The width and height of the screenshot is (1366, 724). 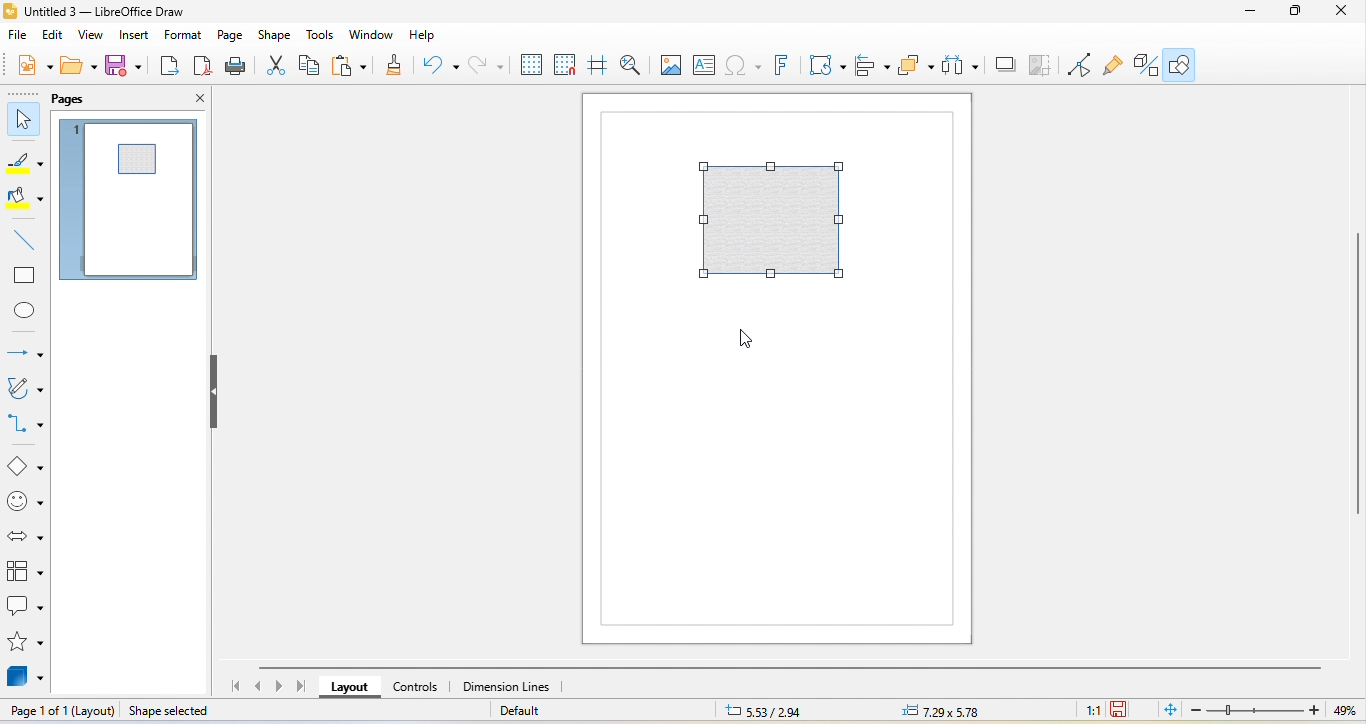 I want to click on help, so click(x=426, y=34).